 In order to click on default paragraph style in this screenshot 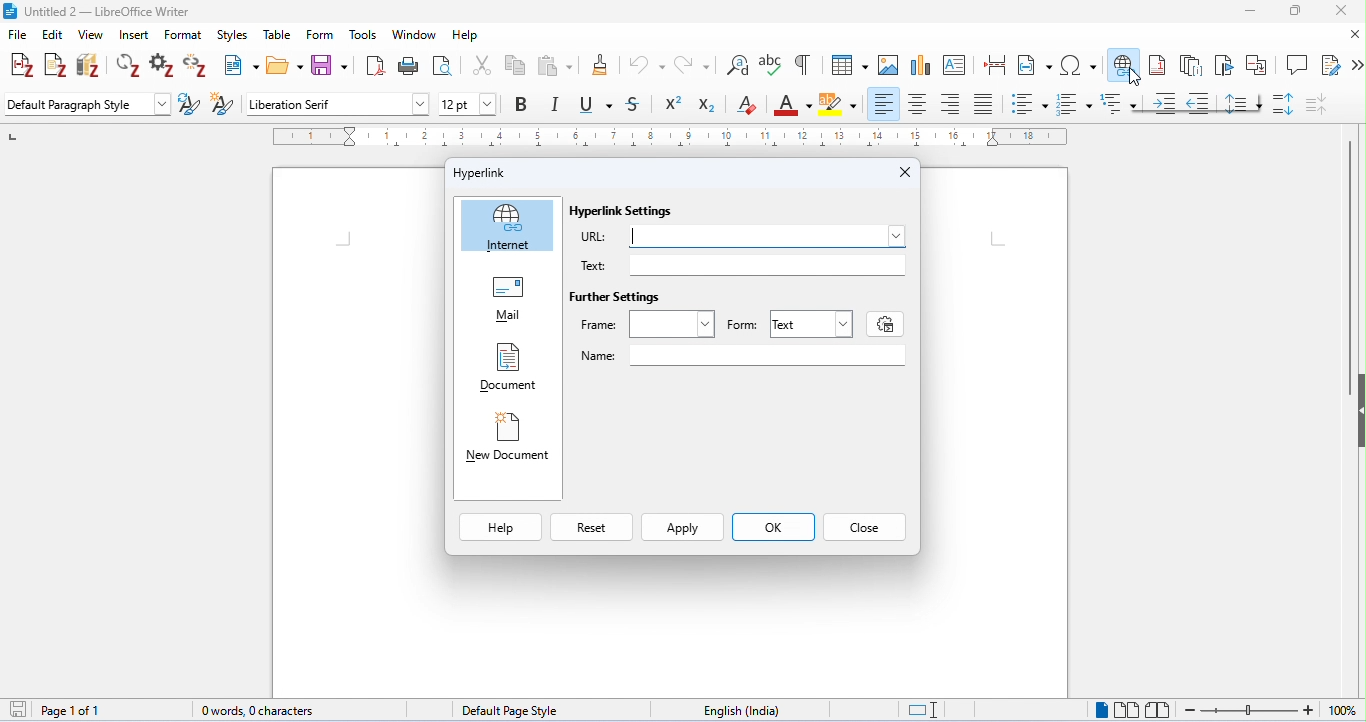, I will do `click(86, 103)`.